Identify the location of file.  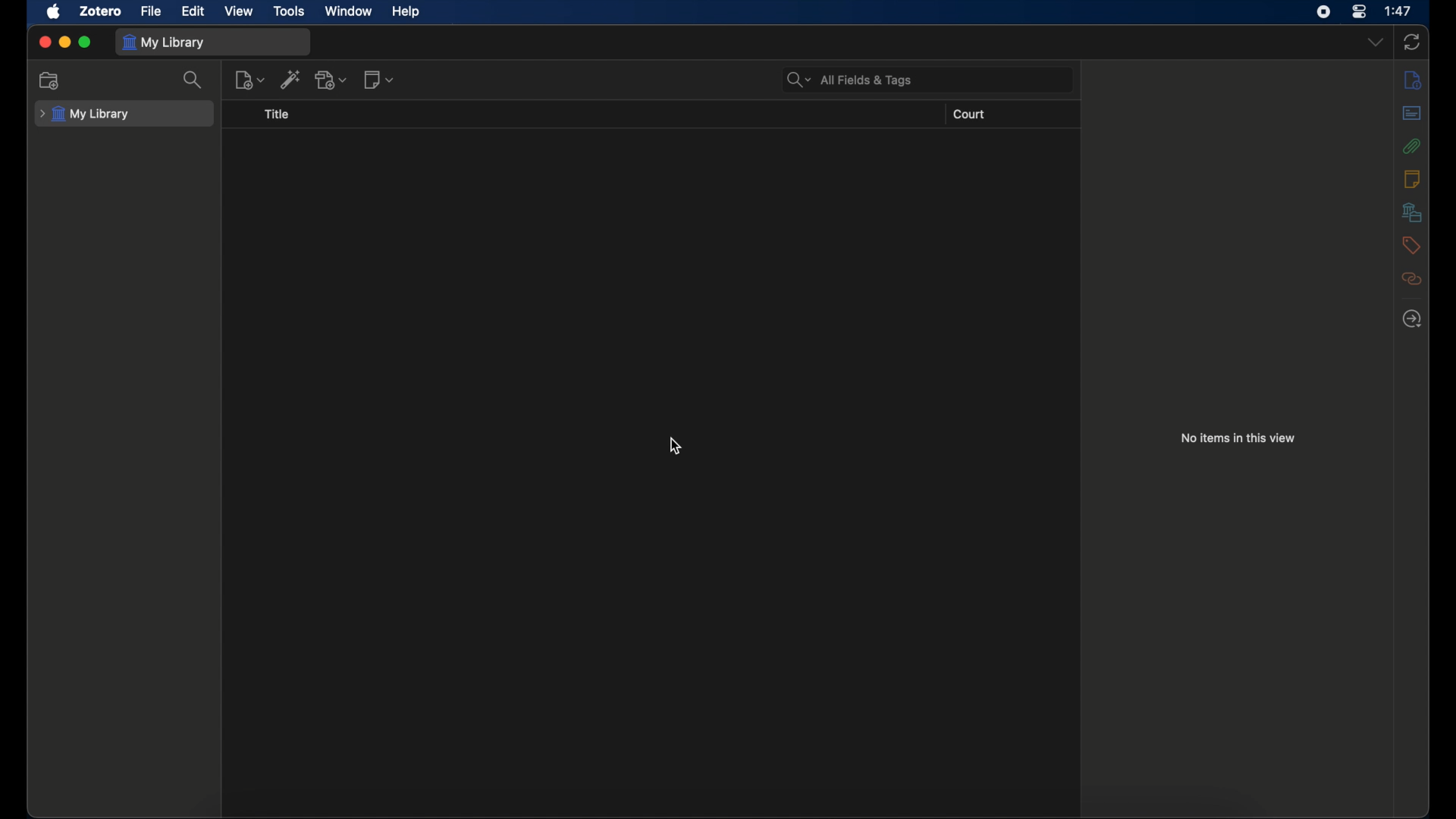
(151, 11).